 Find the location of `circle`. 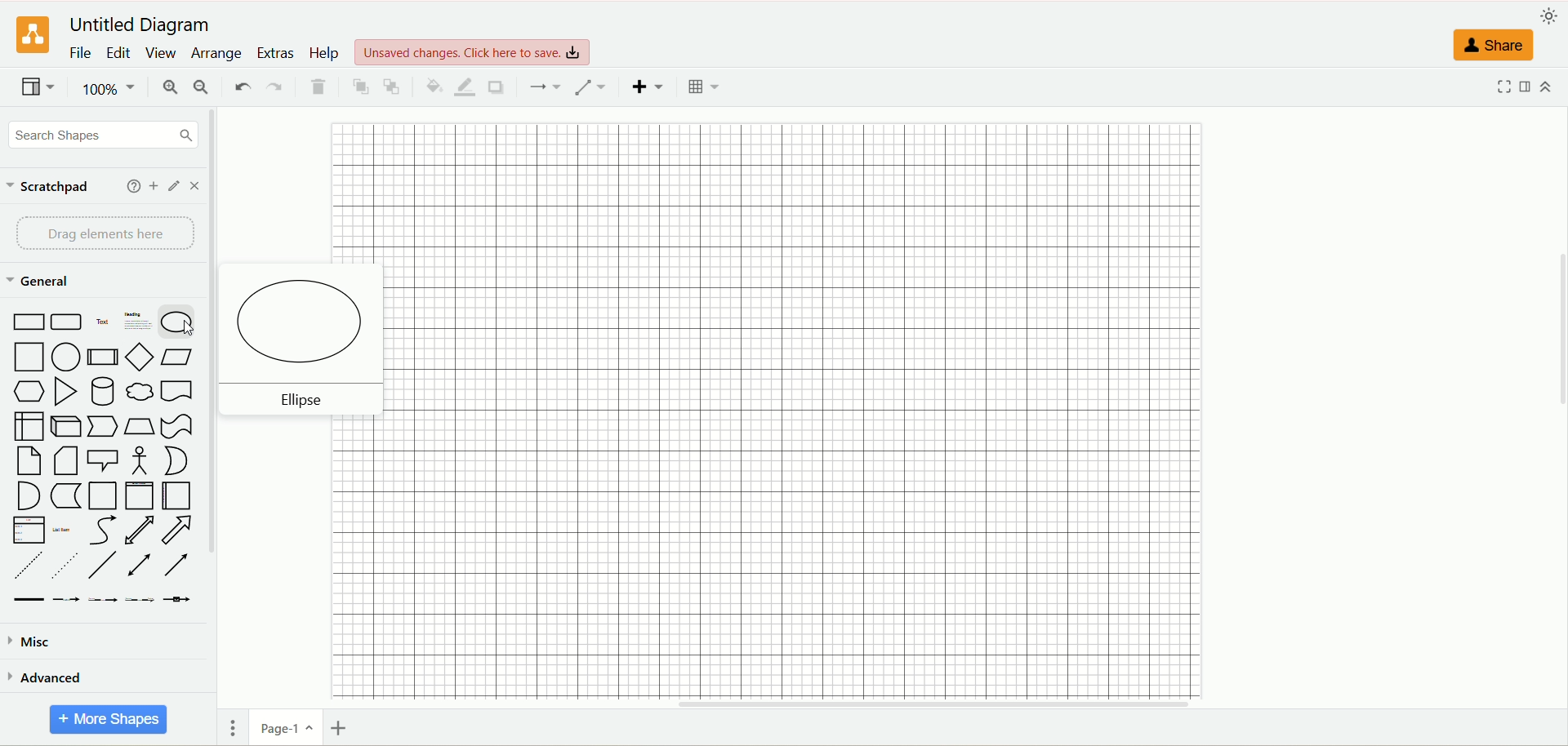

circle is located at coordinates (180, 322).